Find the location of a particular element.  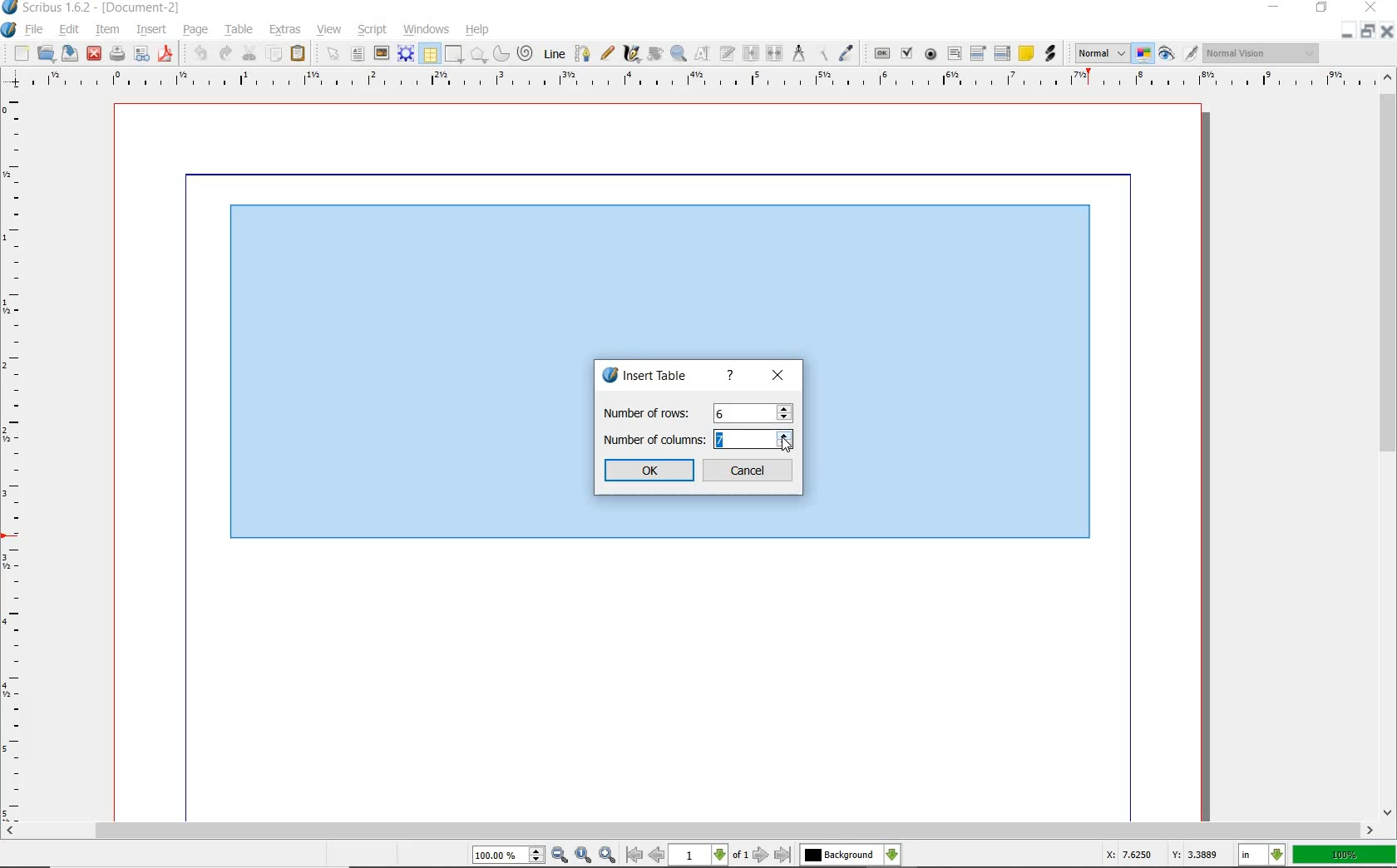

spiral is located at coordinates (526, 54).